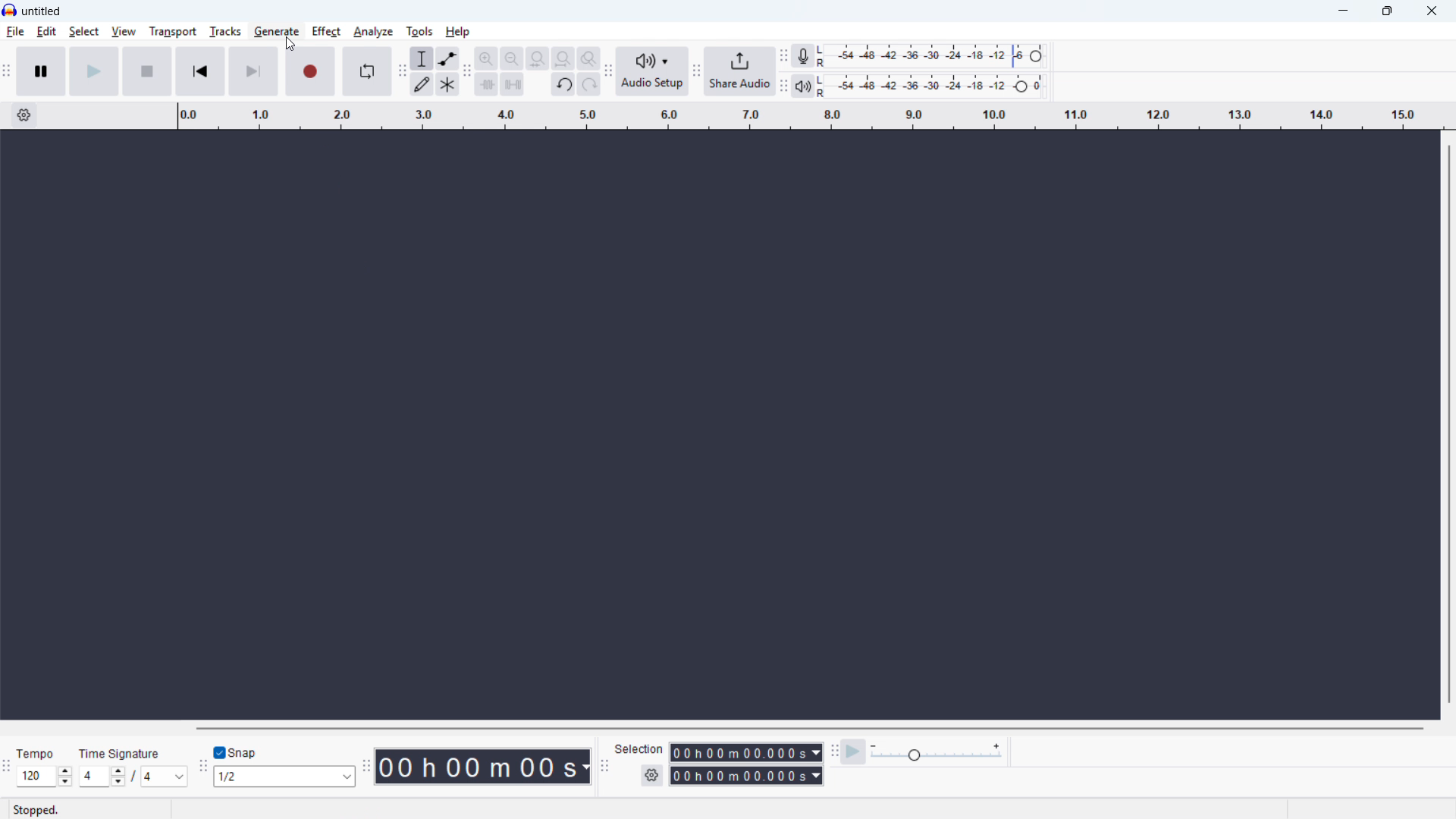  Describe the element at coordinates (289, 43) in the screenshot. I see `cursor` at that location.